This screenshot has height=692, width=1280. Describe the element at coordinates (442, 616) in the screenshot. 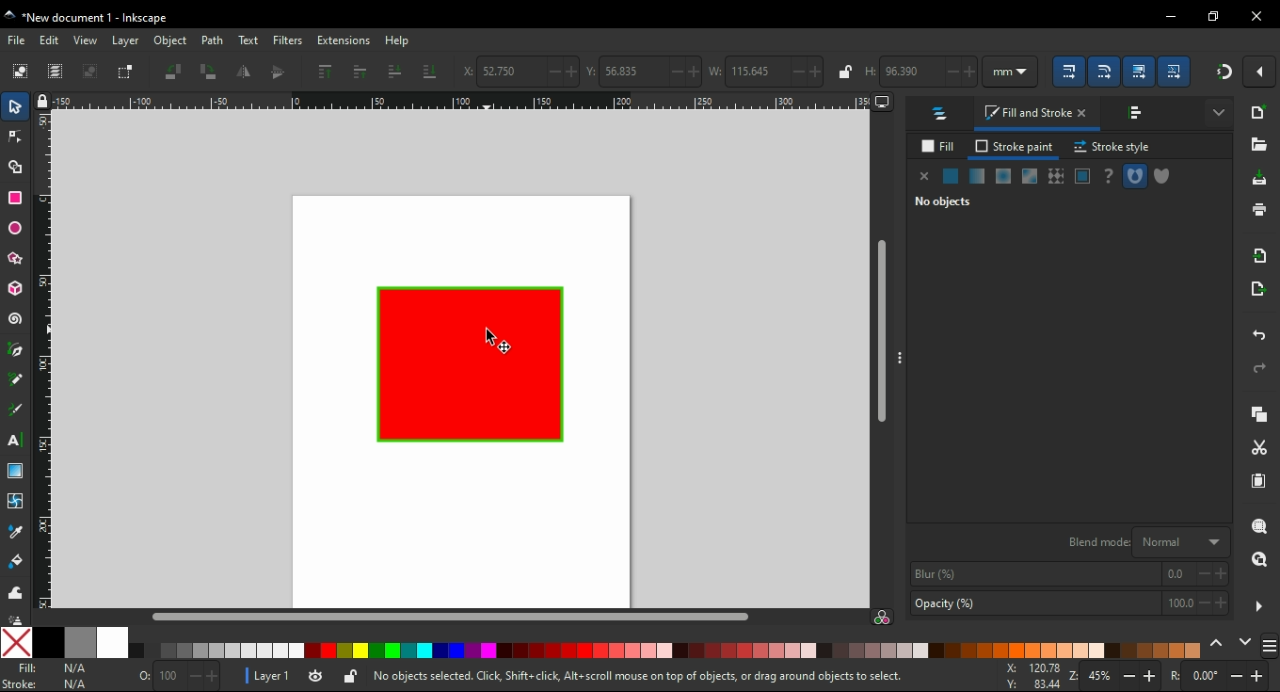

I see `scroll bar` at that location.